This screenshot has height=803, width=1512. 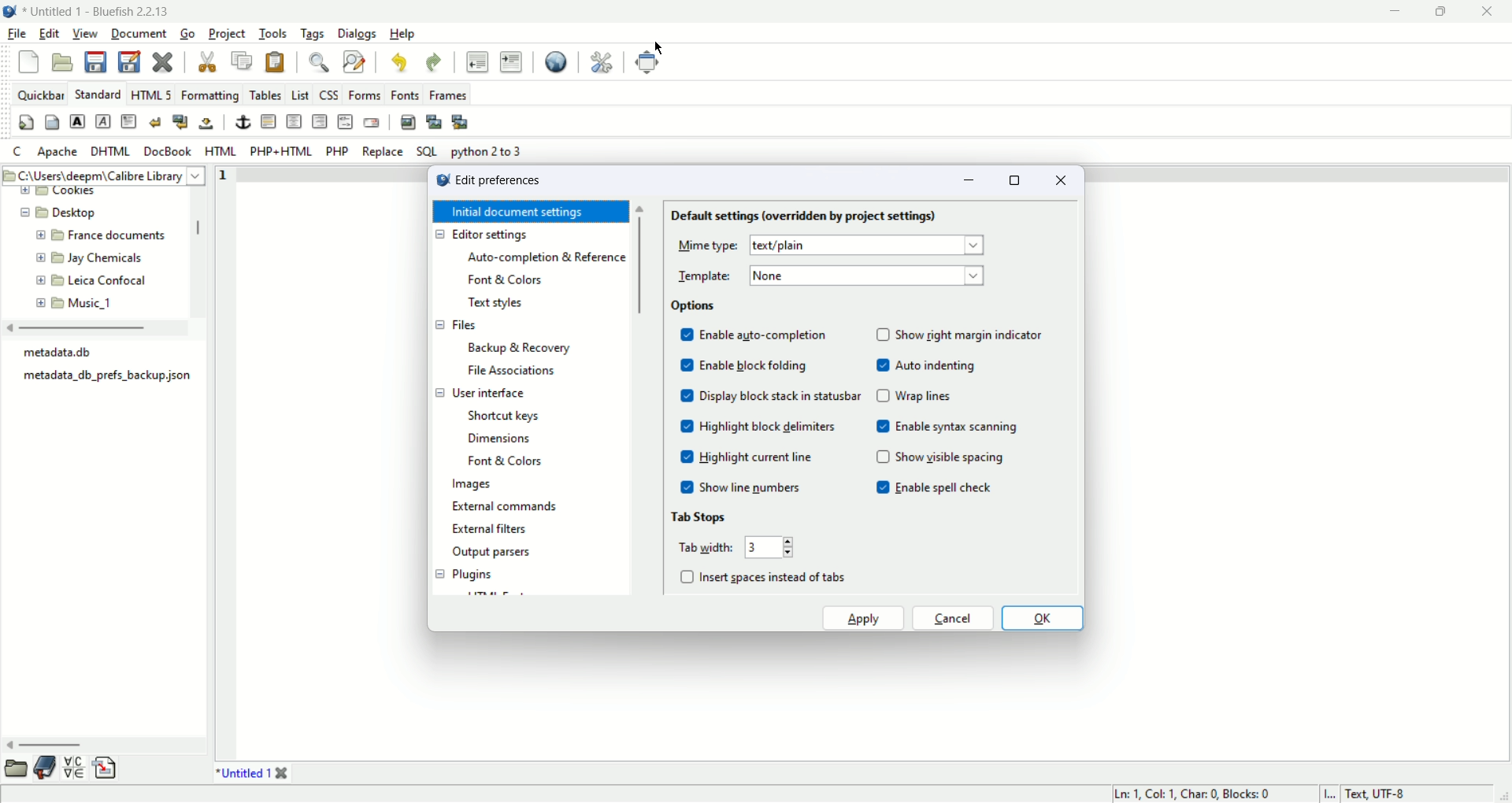 I want to click on document name, so click(x=100, y=9).